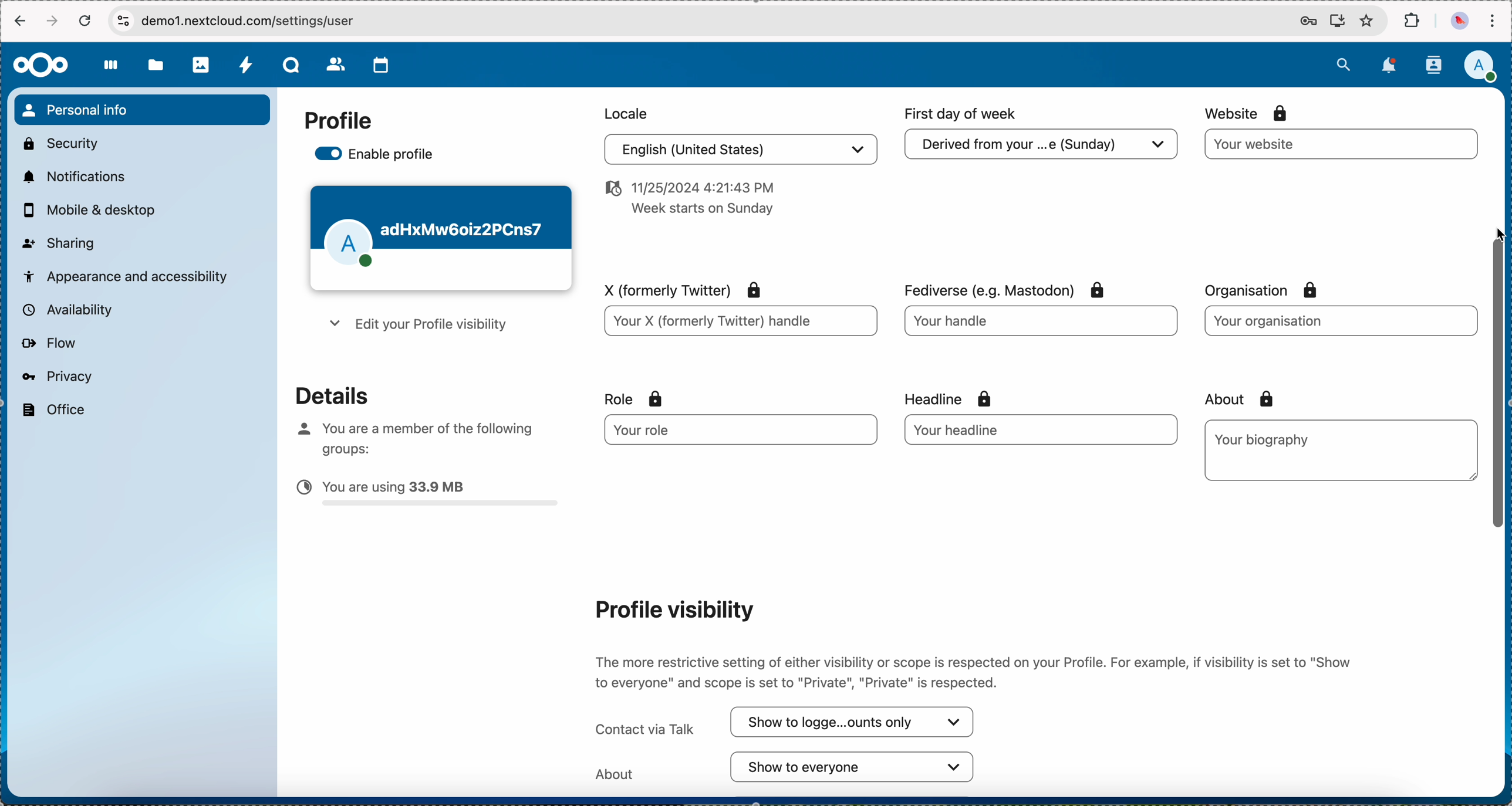 This screenshot has height=806, width=1512. What do you see at coordinates (410, 436) in the screenshot?
I see `you are member of the following groups` at bounding box center [410, 436].